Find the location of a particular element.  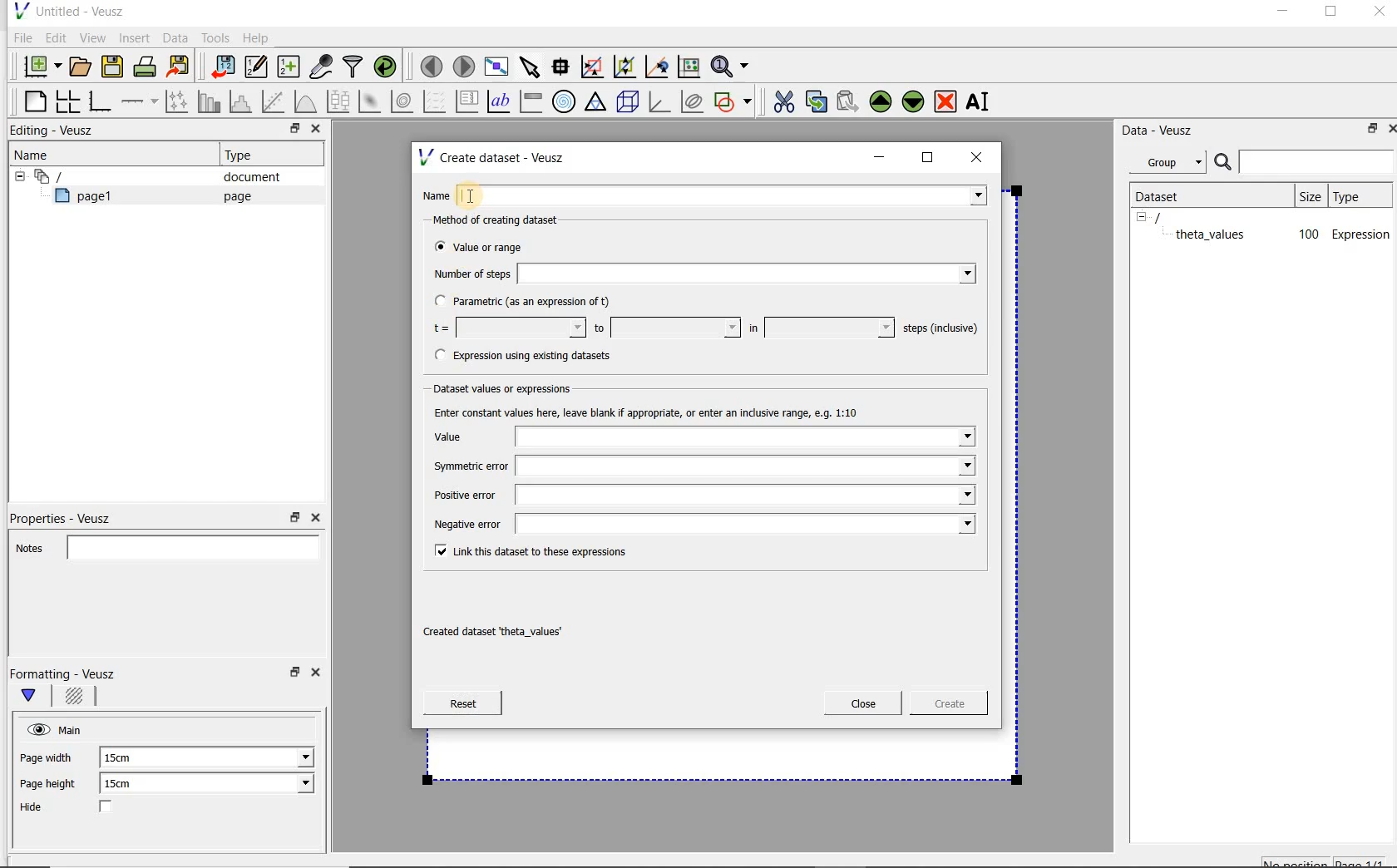

cut the selected widget is located at coordinates (781, 100).